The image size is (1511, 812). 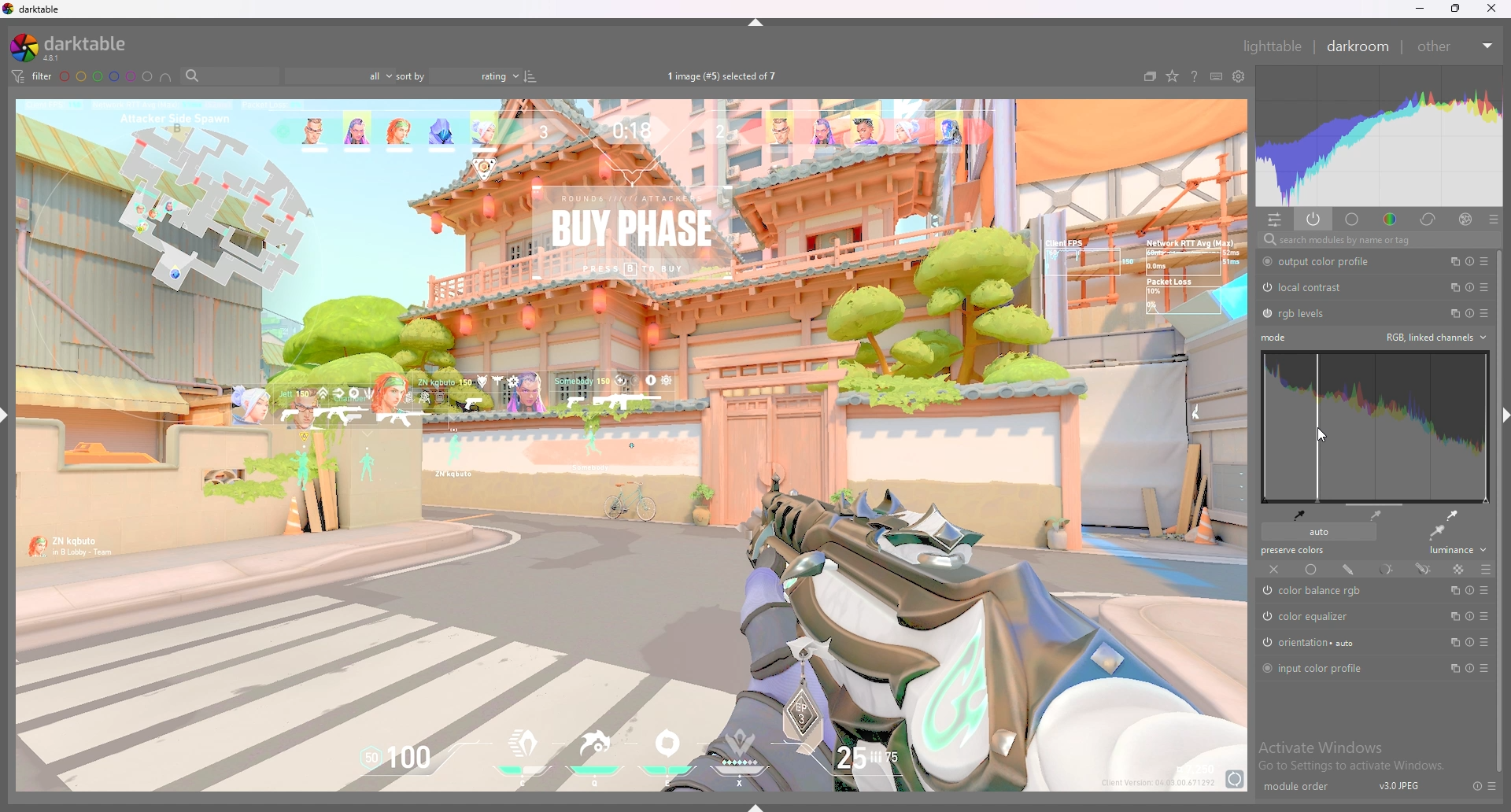 What do you see at coordinates (1375, 241) in the screenshot?
I see `search modules` at bounding box center [1375, 241].